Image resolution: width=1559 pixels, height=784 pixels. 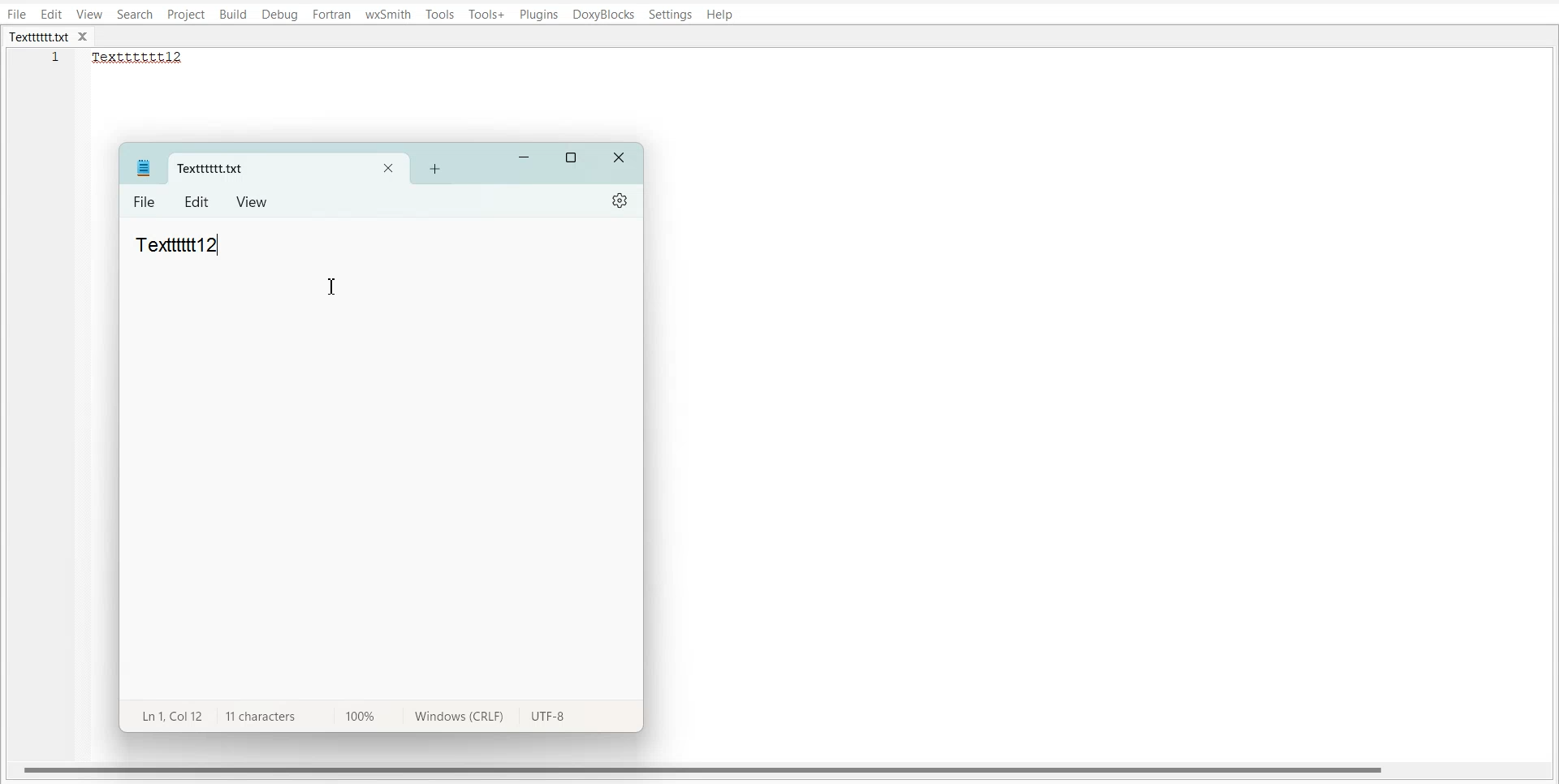 What do you see at coordinates (440, 14) in the screenshot?
I see `Tools` at bounding box center [440, 14].